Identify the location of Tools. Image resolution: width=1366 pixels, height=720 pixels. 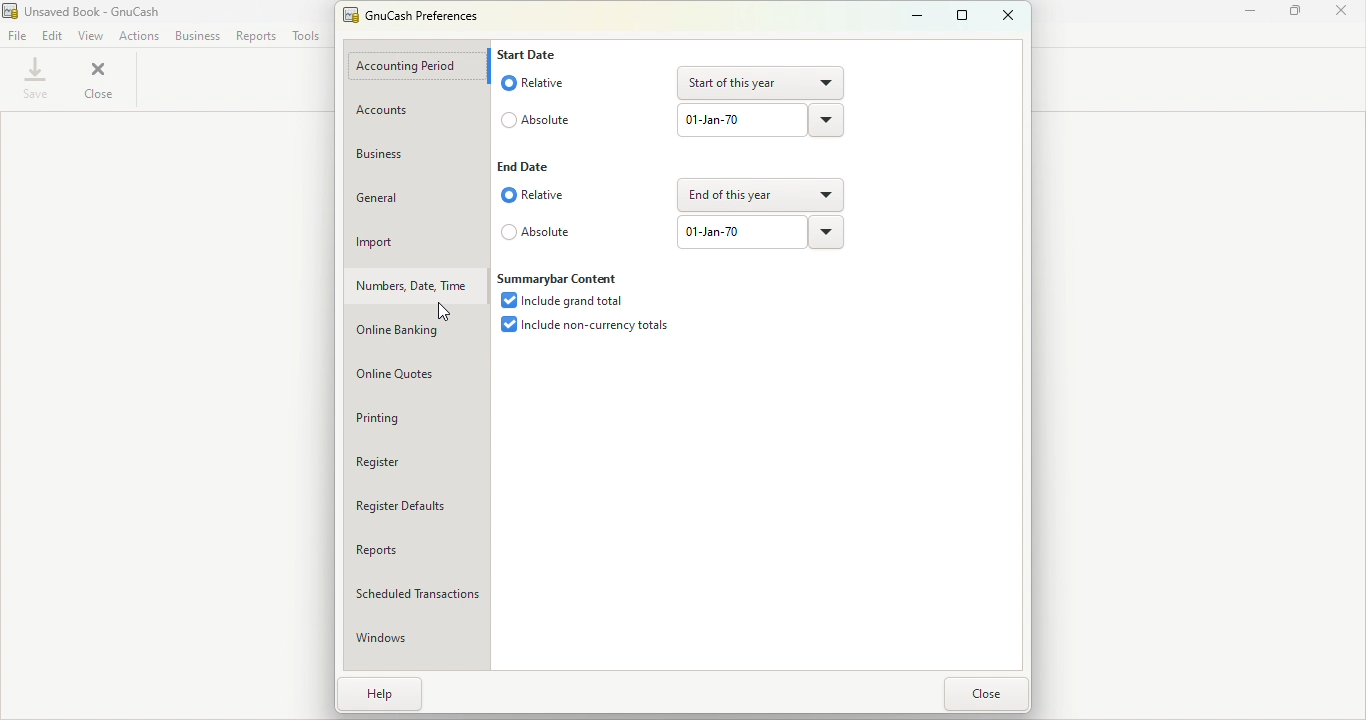
(306, 38).